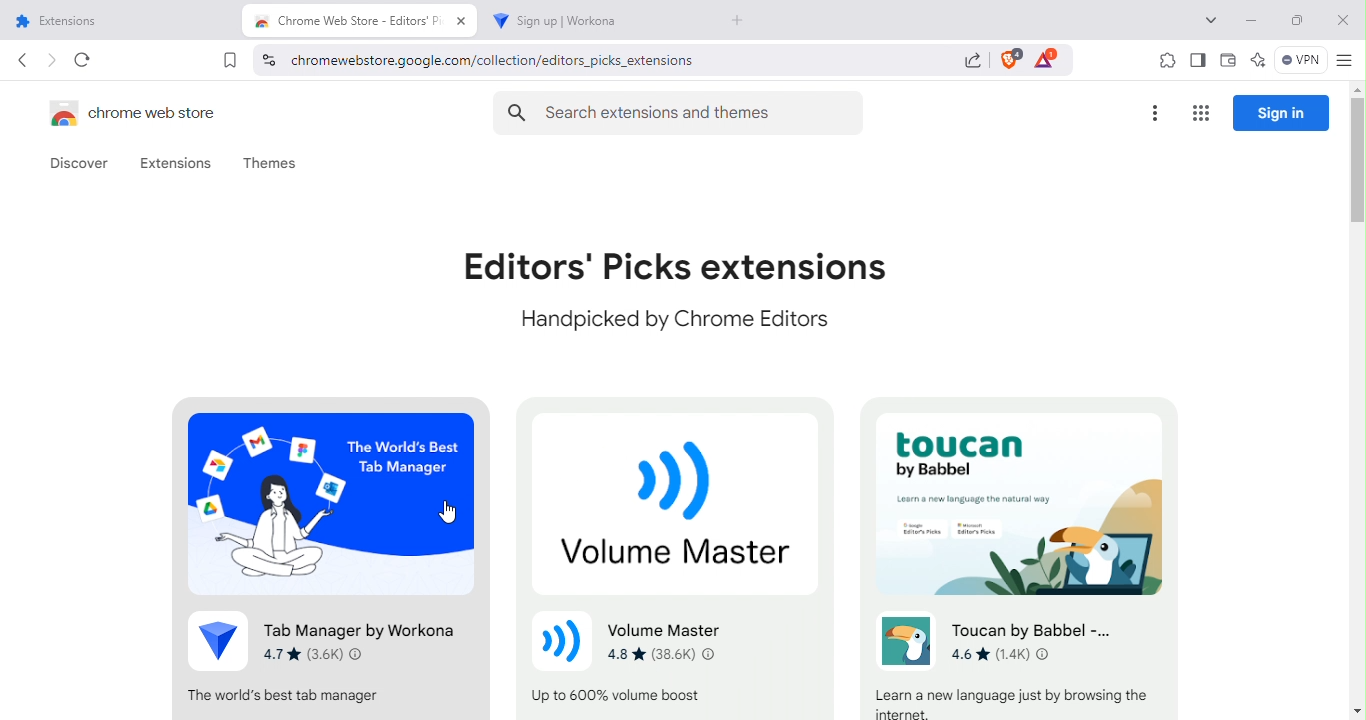 This screenshot has width=1366, height=720. Describe the element at coordinates (22, 60) in the screenshot. I see `Click to go back` at that location.